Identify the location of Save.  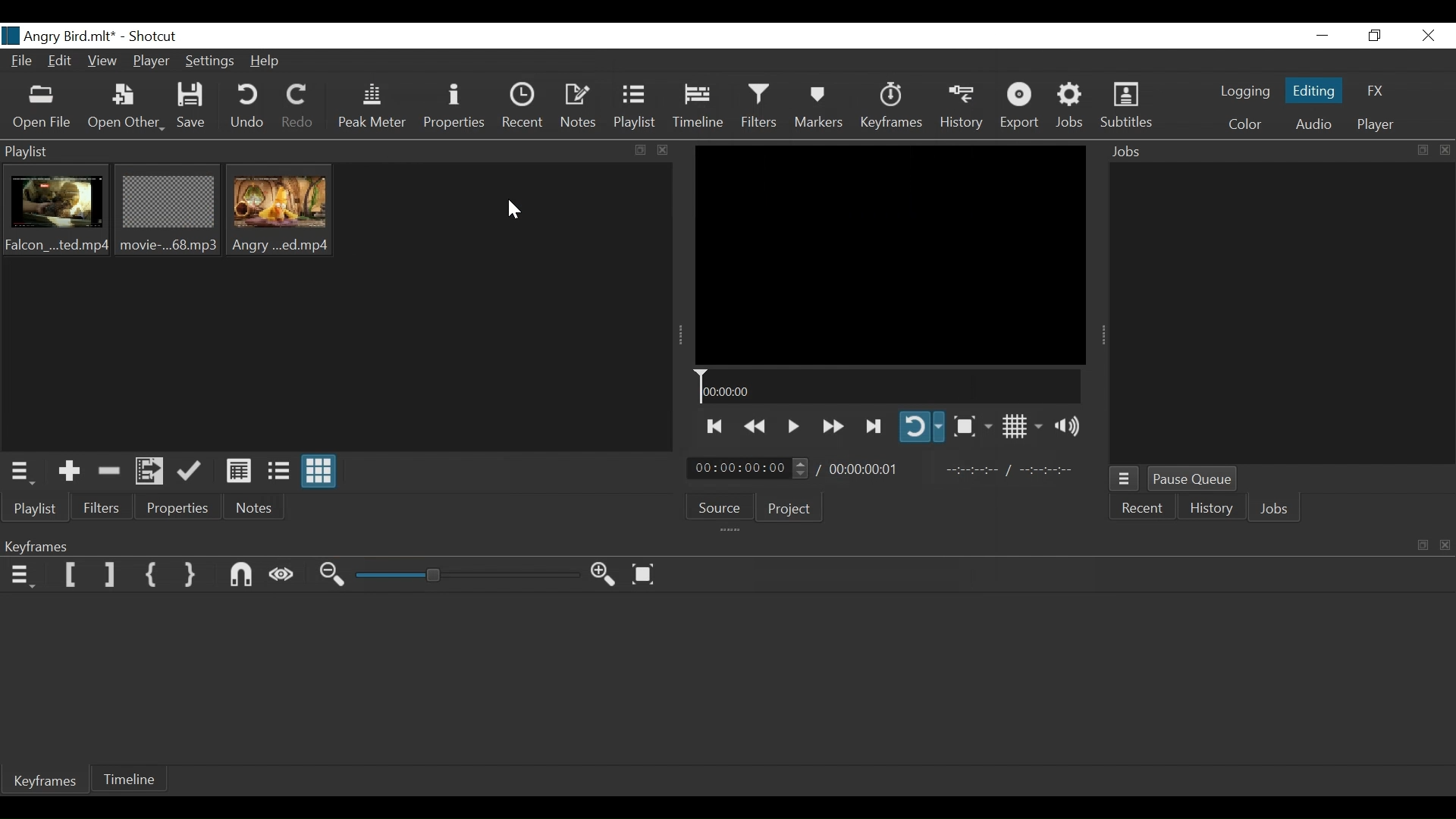
(194, 106).